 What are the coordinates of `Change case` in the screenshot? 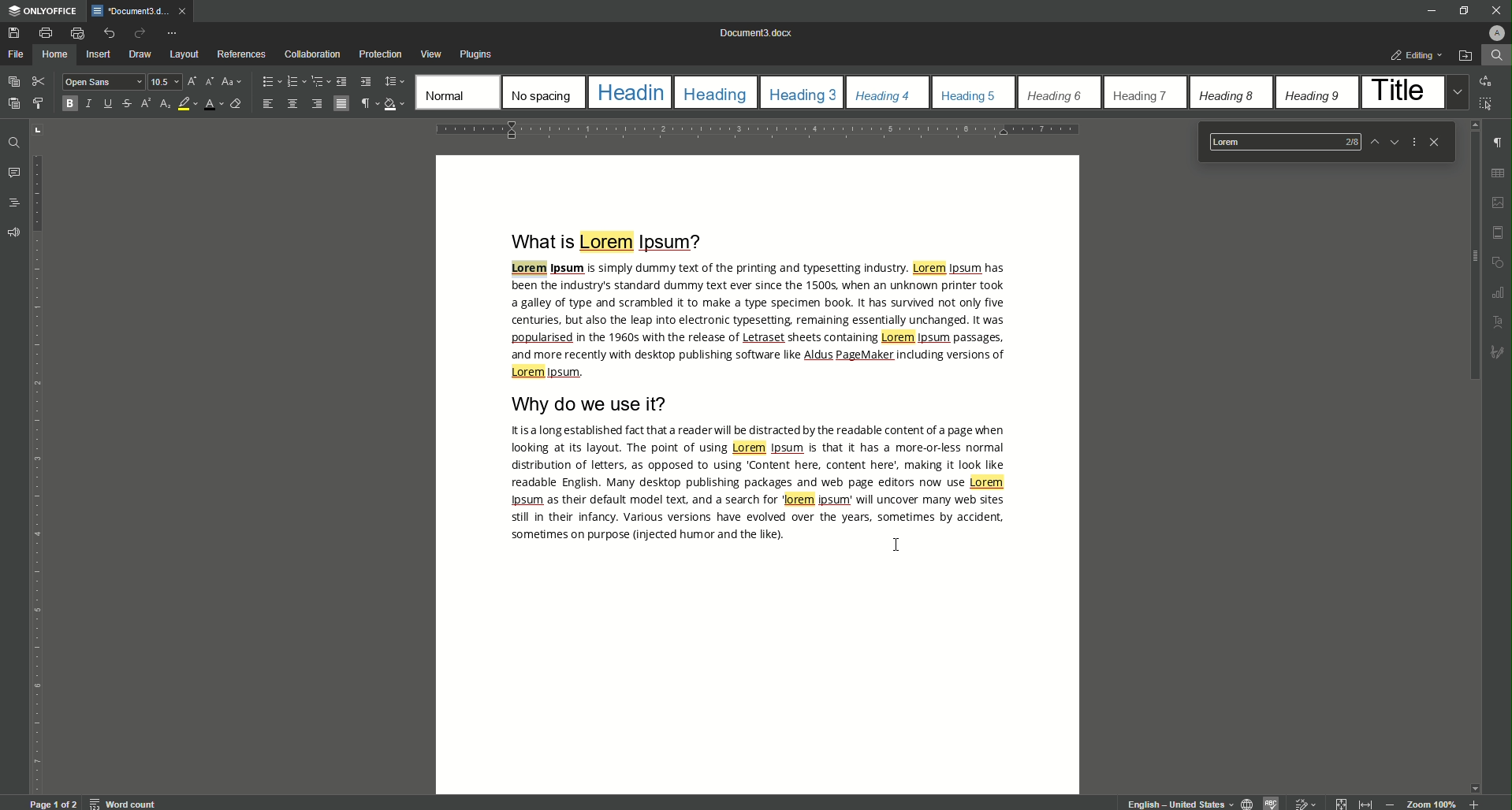 It's located at (233, 82).